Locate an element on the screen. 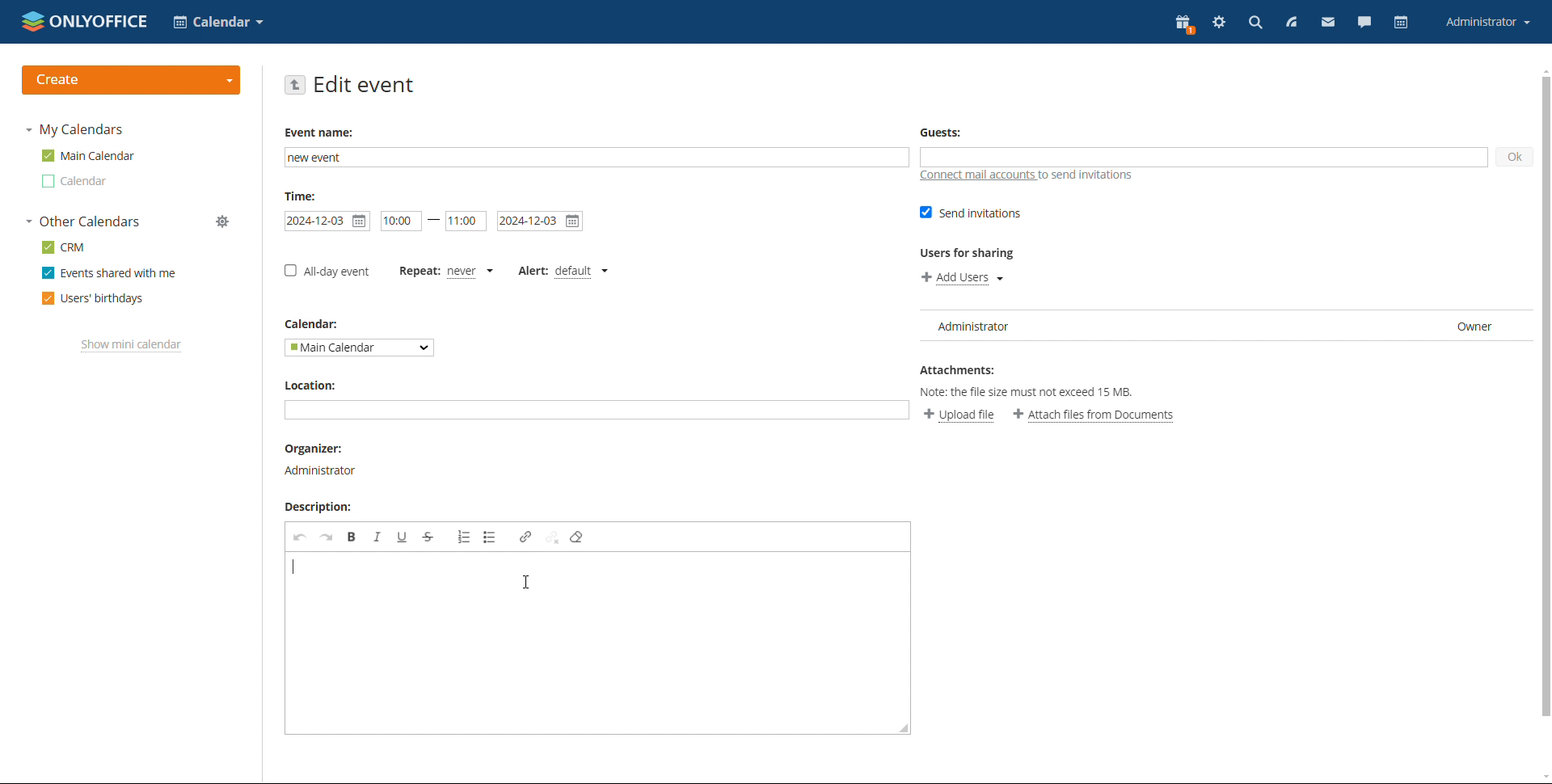 Image resolution: width=1552 pixels, height=784 pixels. other calendar is located at coordinates (76, 181).